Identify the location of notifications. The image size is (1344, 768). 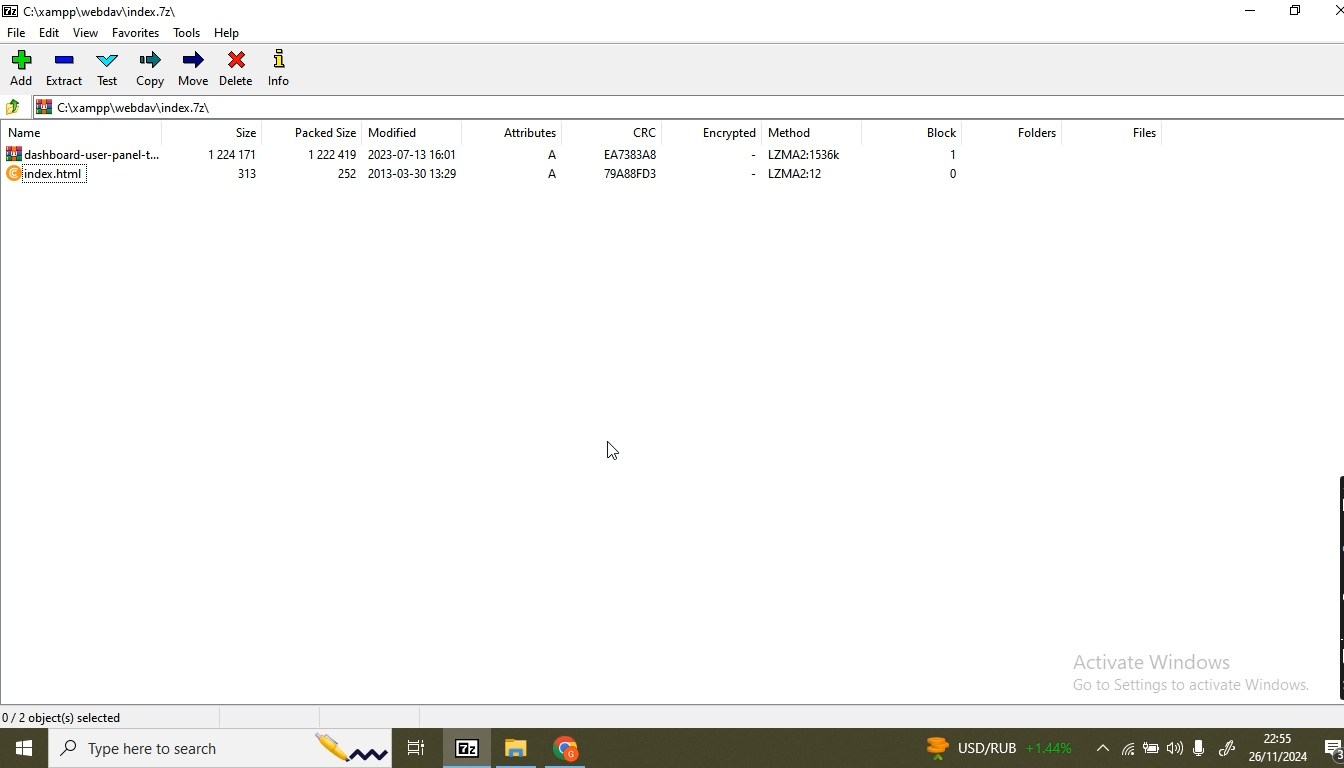
(1330, 750).